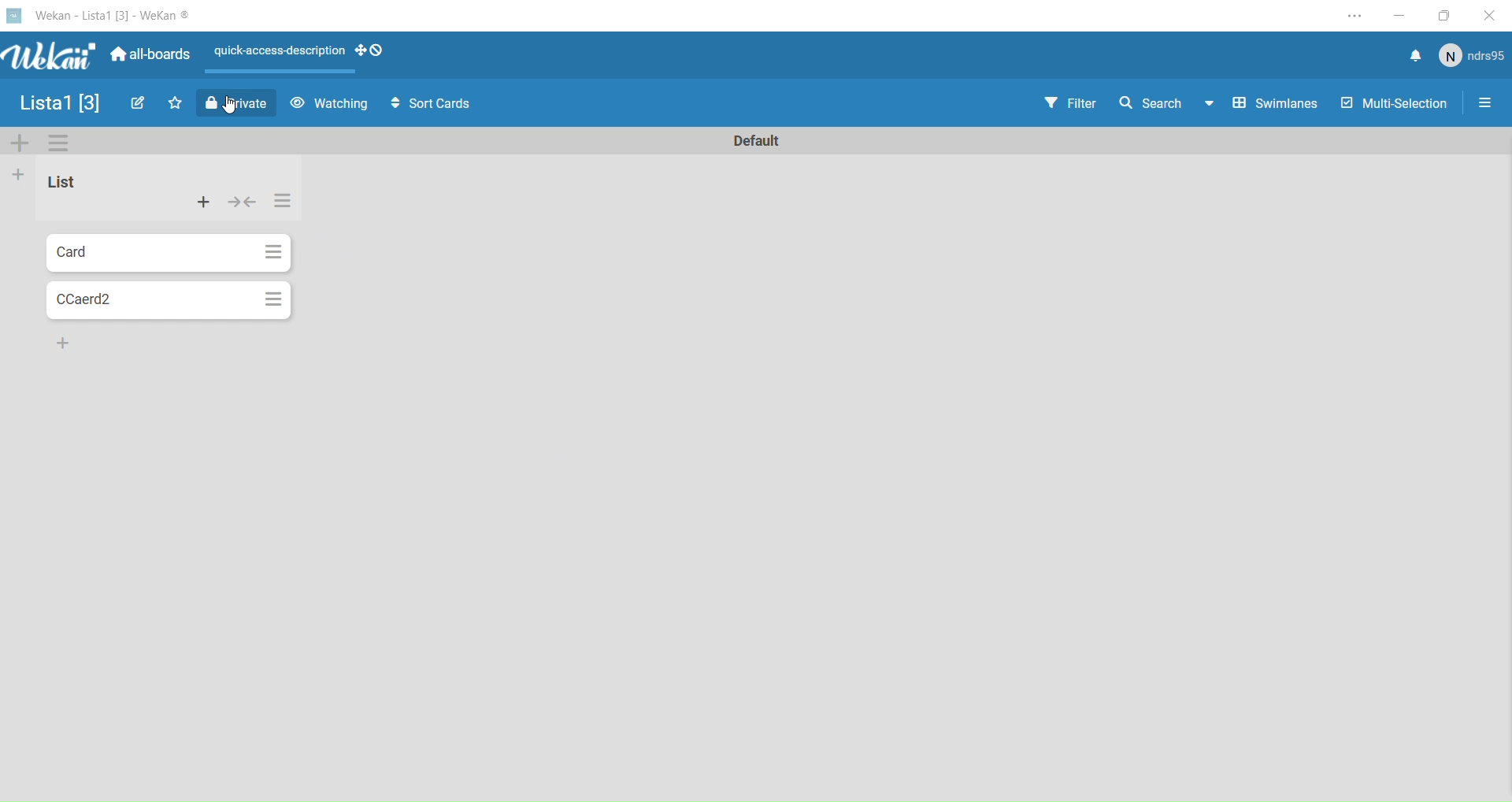 The height and width of the screenshot is (802, 1512). I want to click on Notifications, so click(1414, 56).